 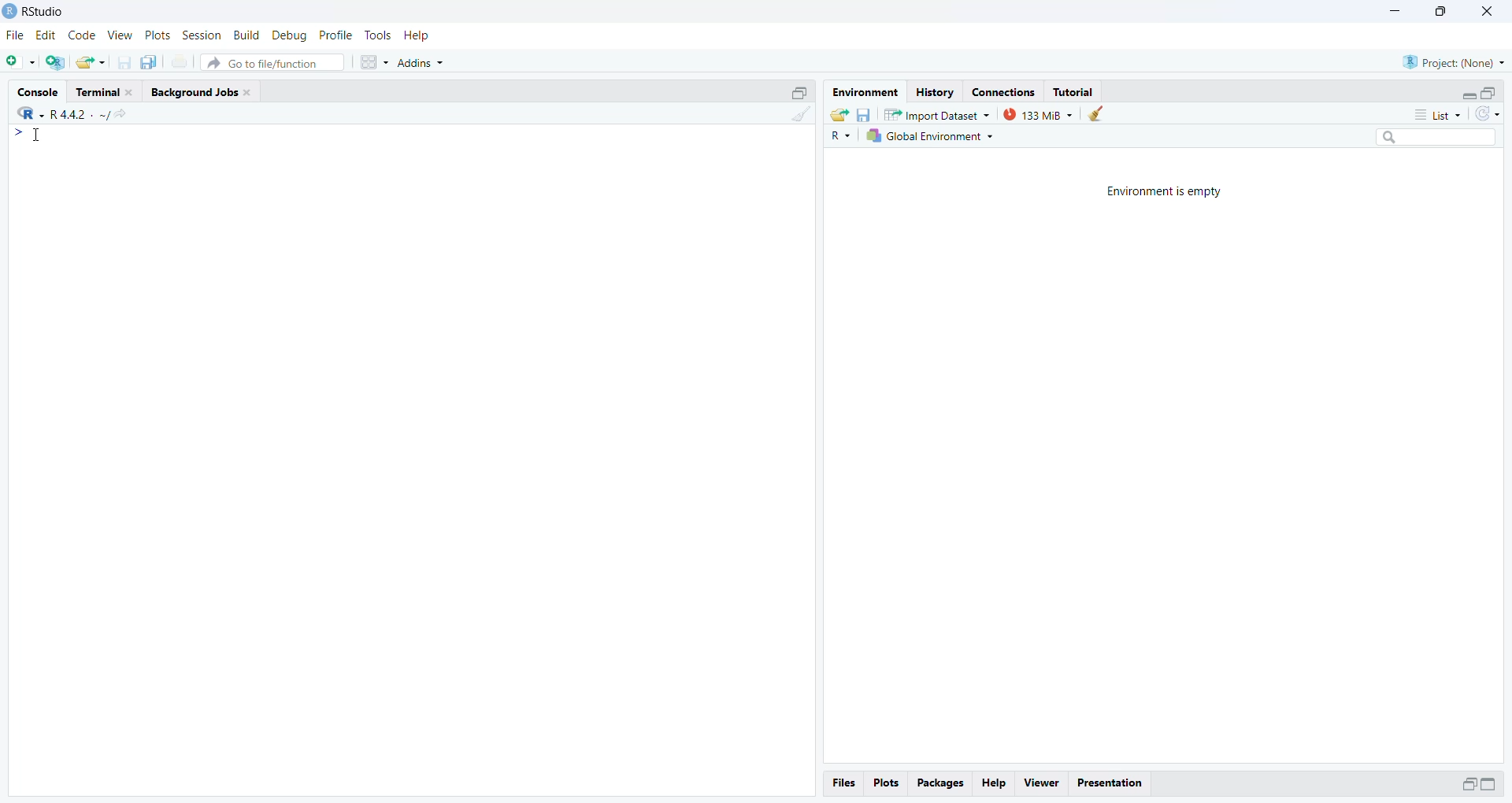 What do you see at coordinates (161, 35) in the screenshot?
I see `Plots` at bounding box center [161, 35].